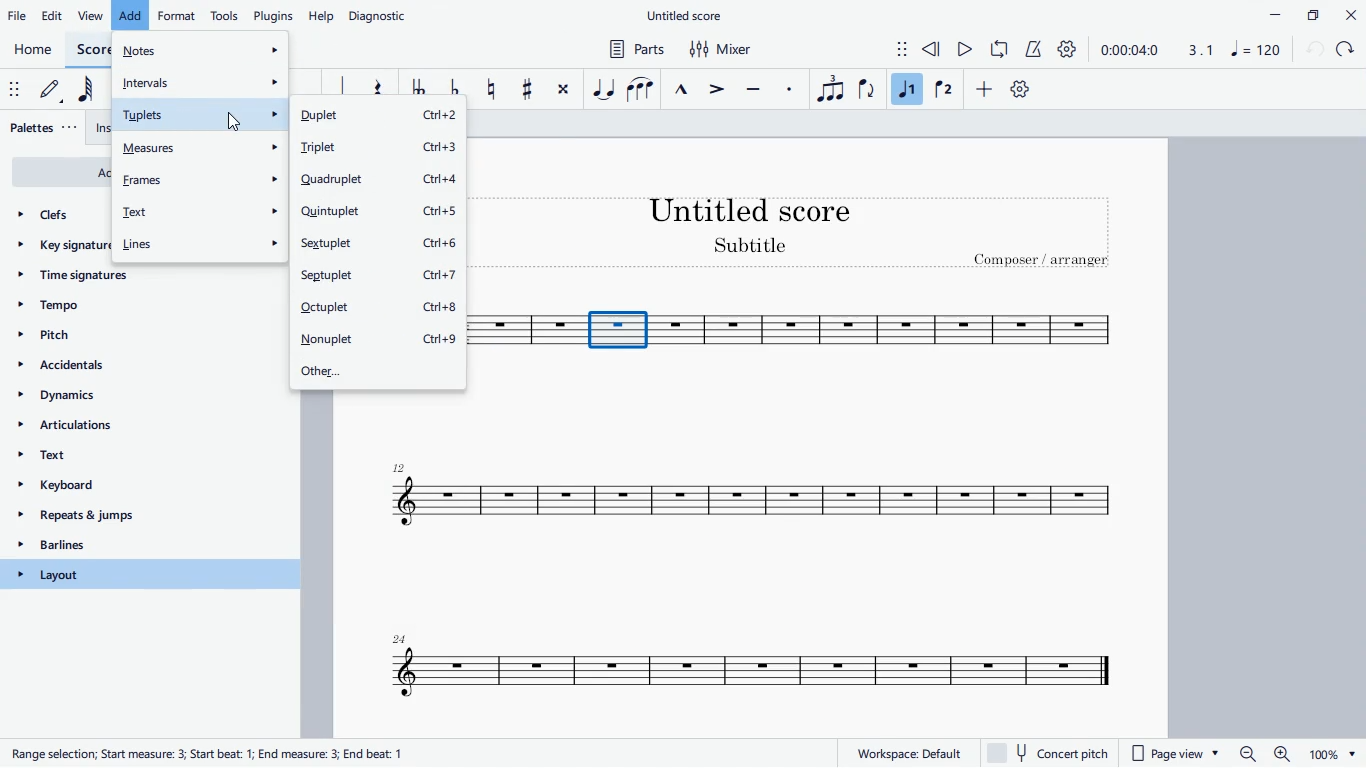 The image size is (1366, 768). I want to click on default, so click(1020, 92).